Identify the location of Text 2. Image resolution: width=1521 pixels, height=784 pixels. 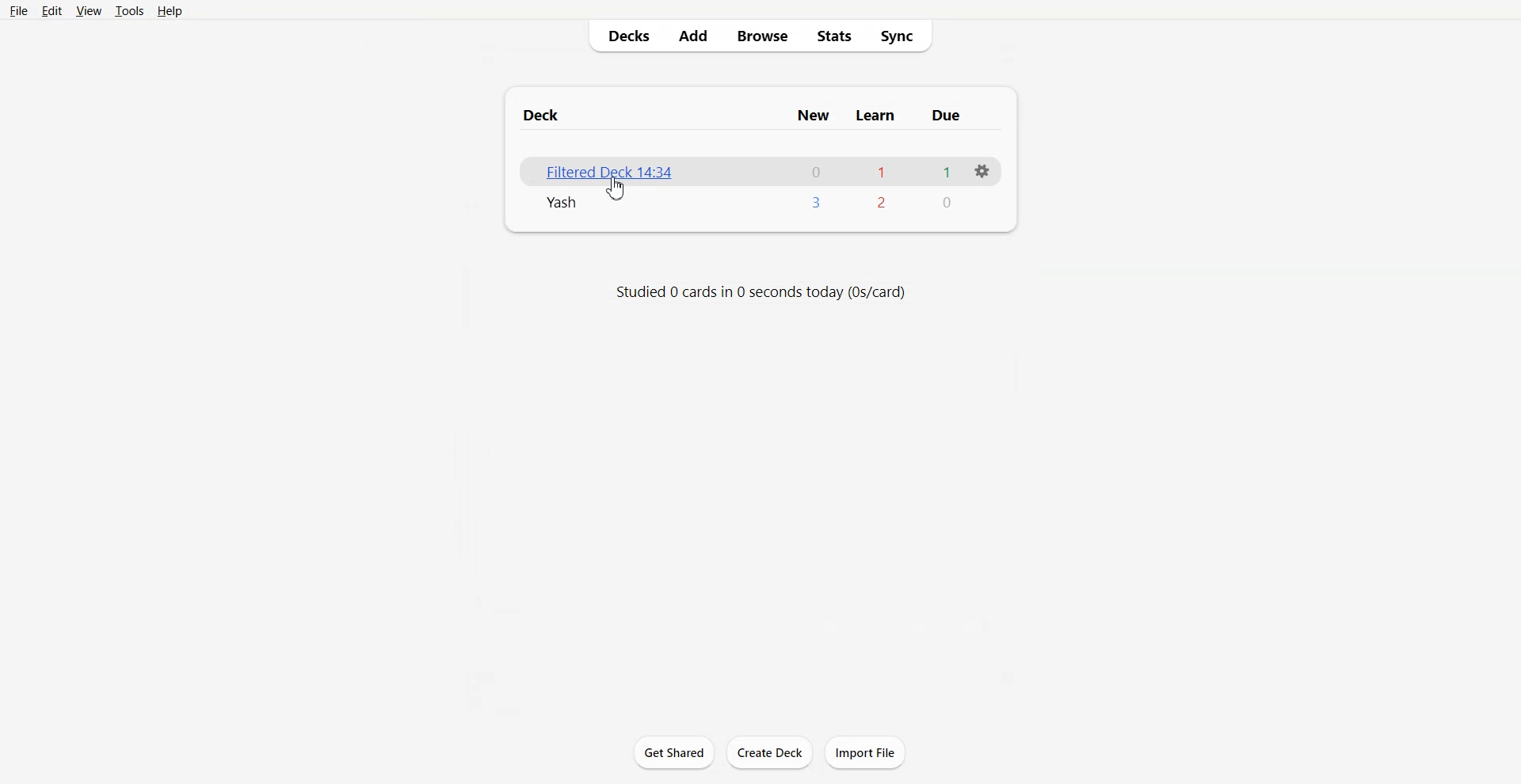
(759, 291).